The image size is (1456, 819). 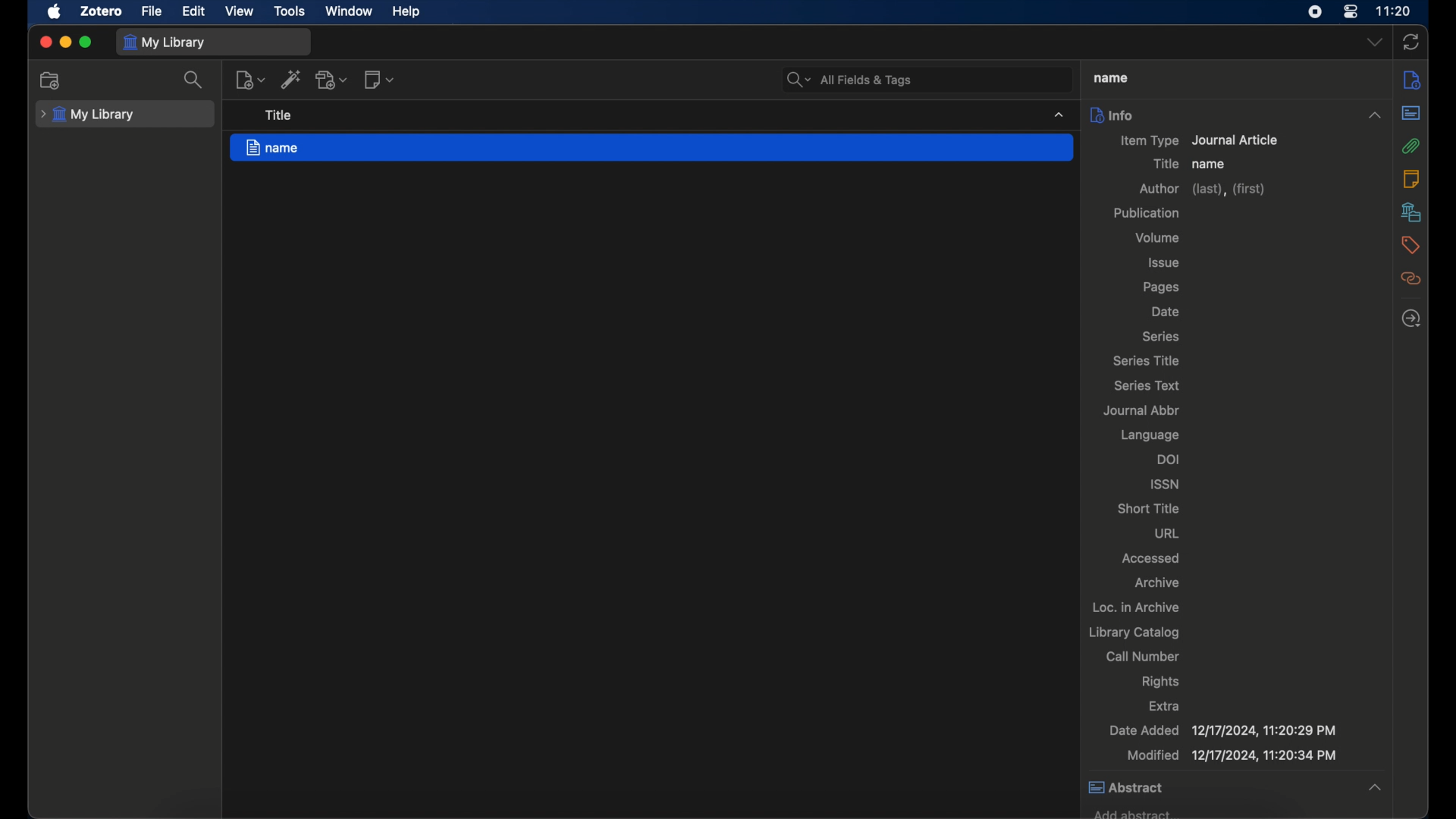 I want to click on help, so click(x=406, y=12).